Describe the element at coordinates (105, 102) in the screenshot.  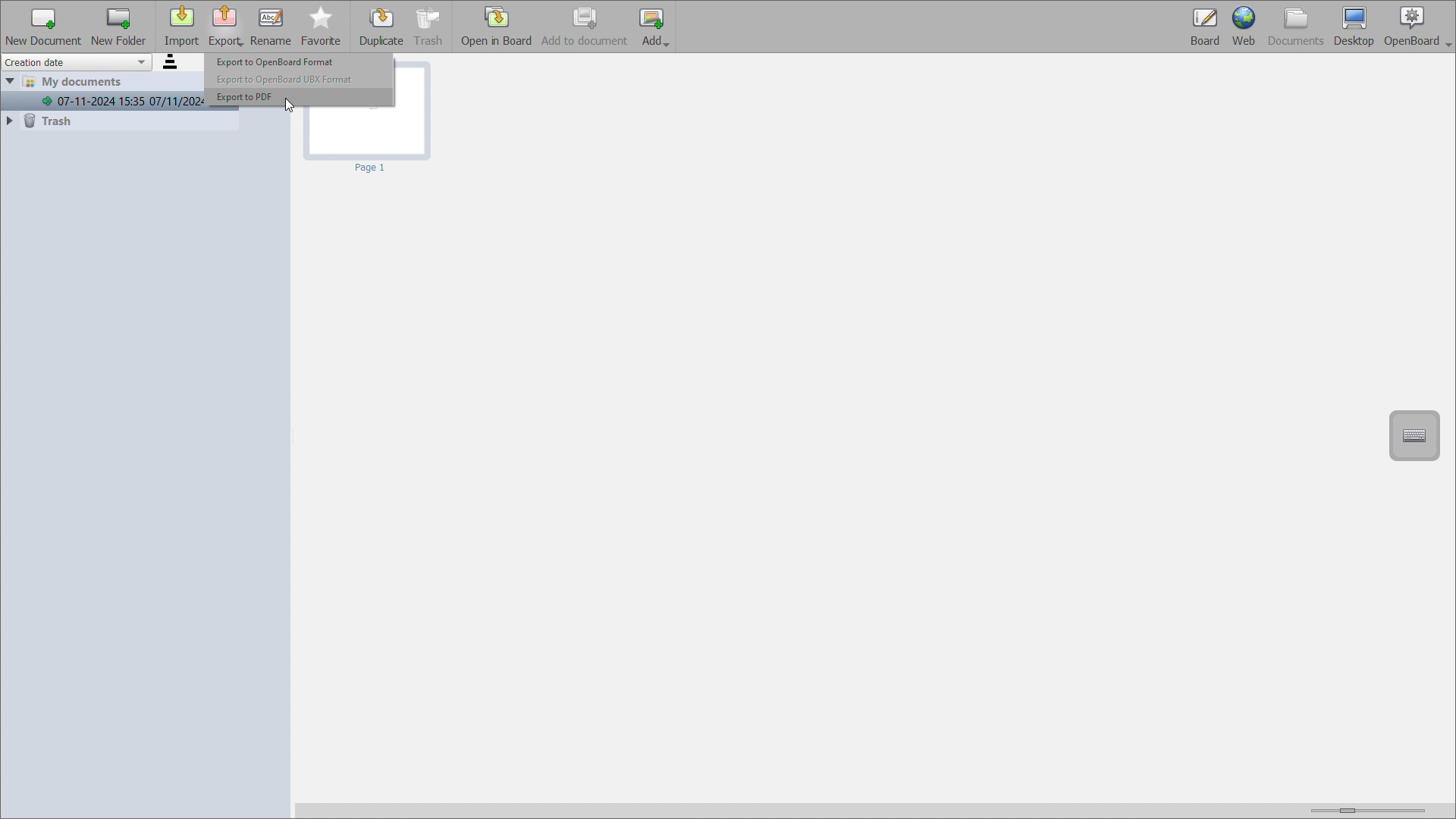
I see `07-11-2024 15:35 07/11/2024(current document)` at that location.